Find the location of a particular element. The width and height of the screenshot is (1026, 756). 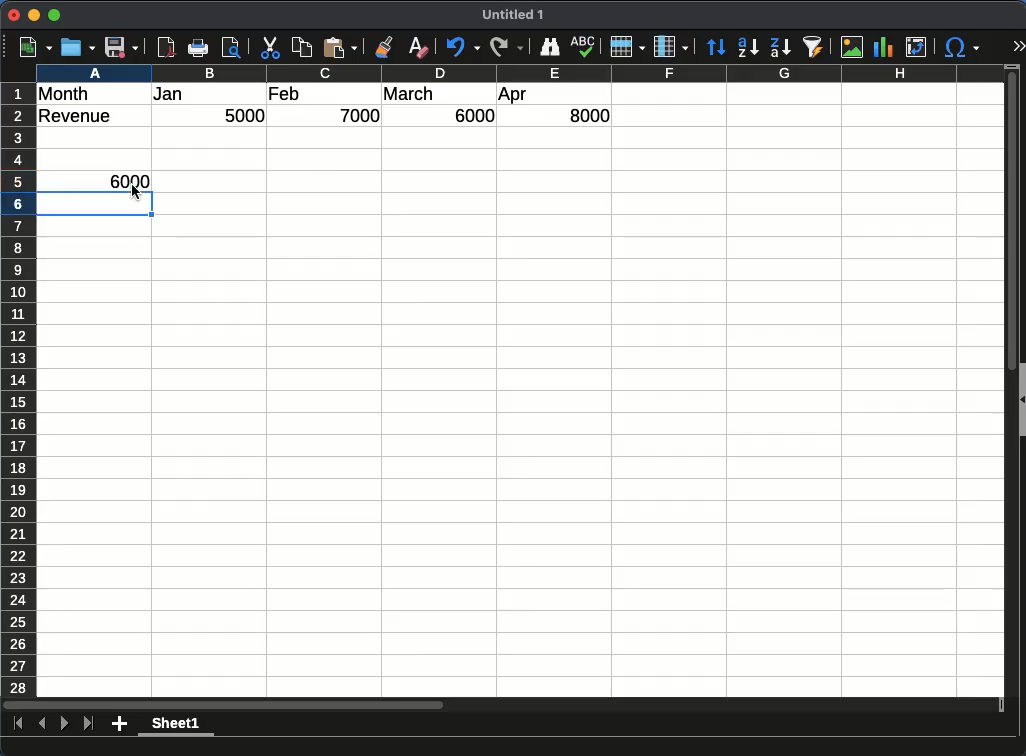

redo is located at coordinates (507, 47).